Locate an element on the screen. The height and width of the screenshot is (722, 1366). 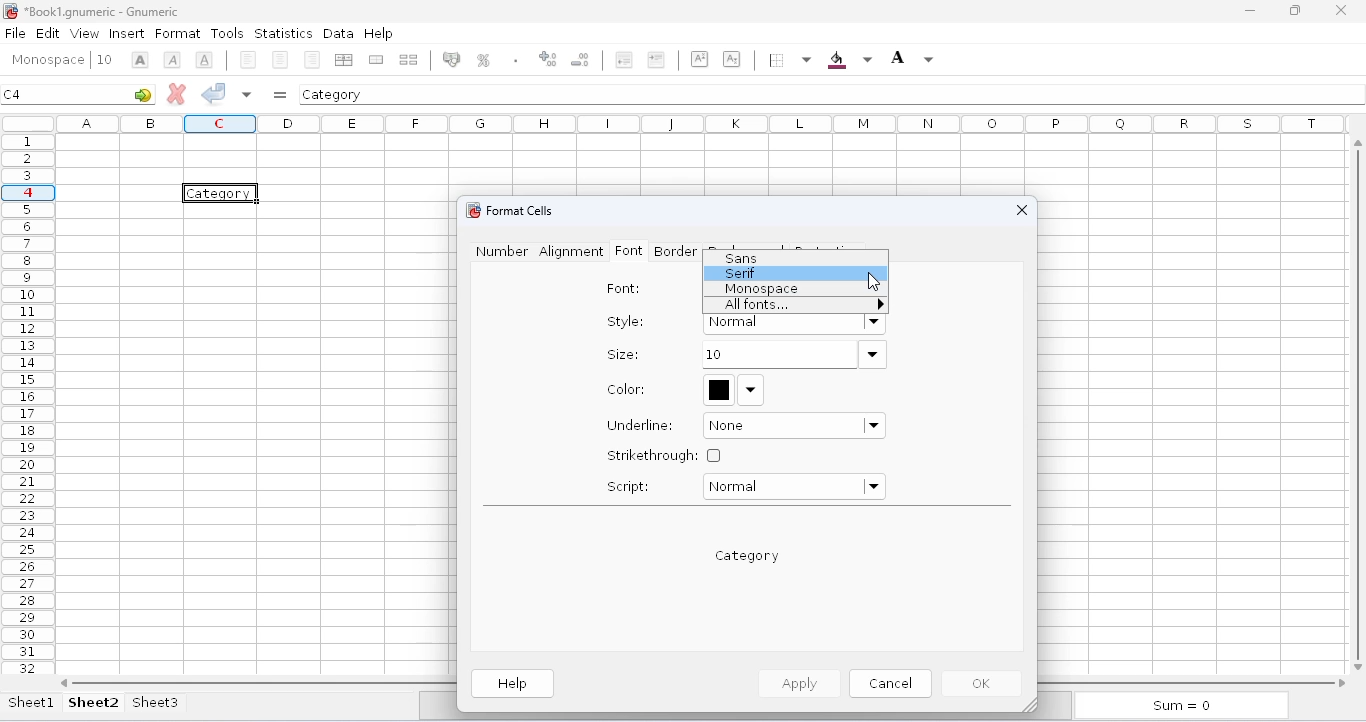
help is located at coordinates (514, 684).